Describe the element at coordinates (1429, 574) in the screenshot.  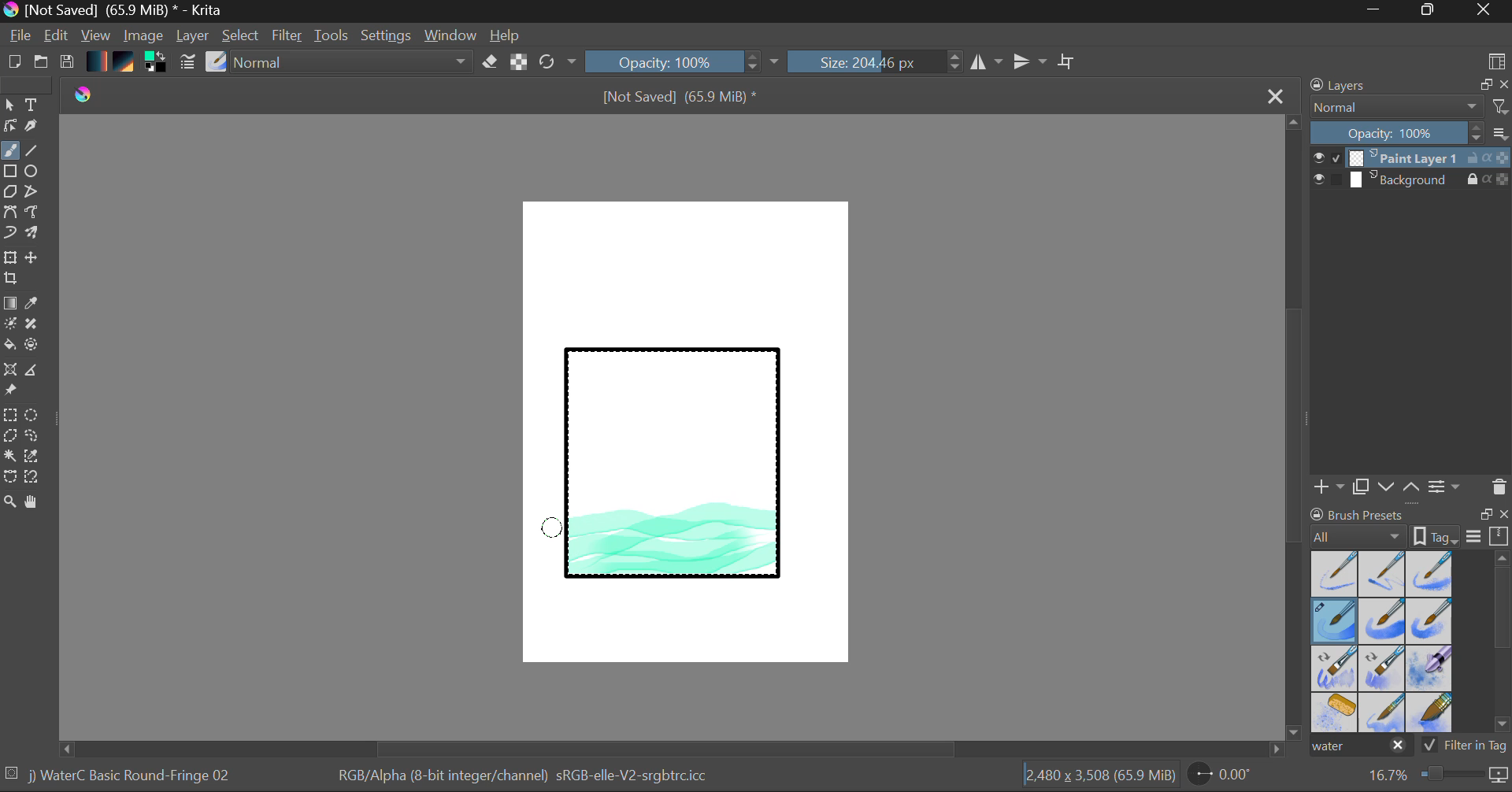
I see `Water C - Wet Pattern` at that location.